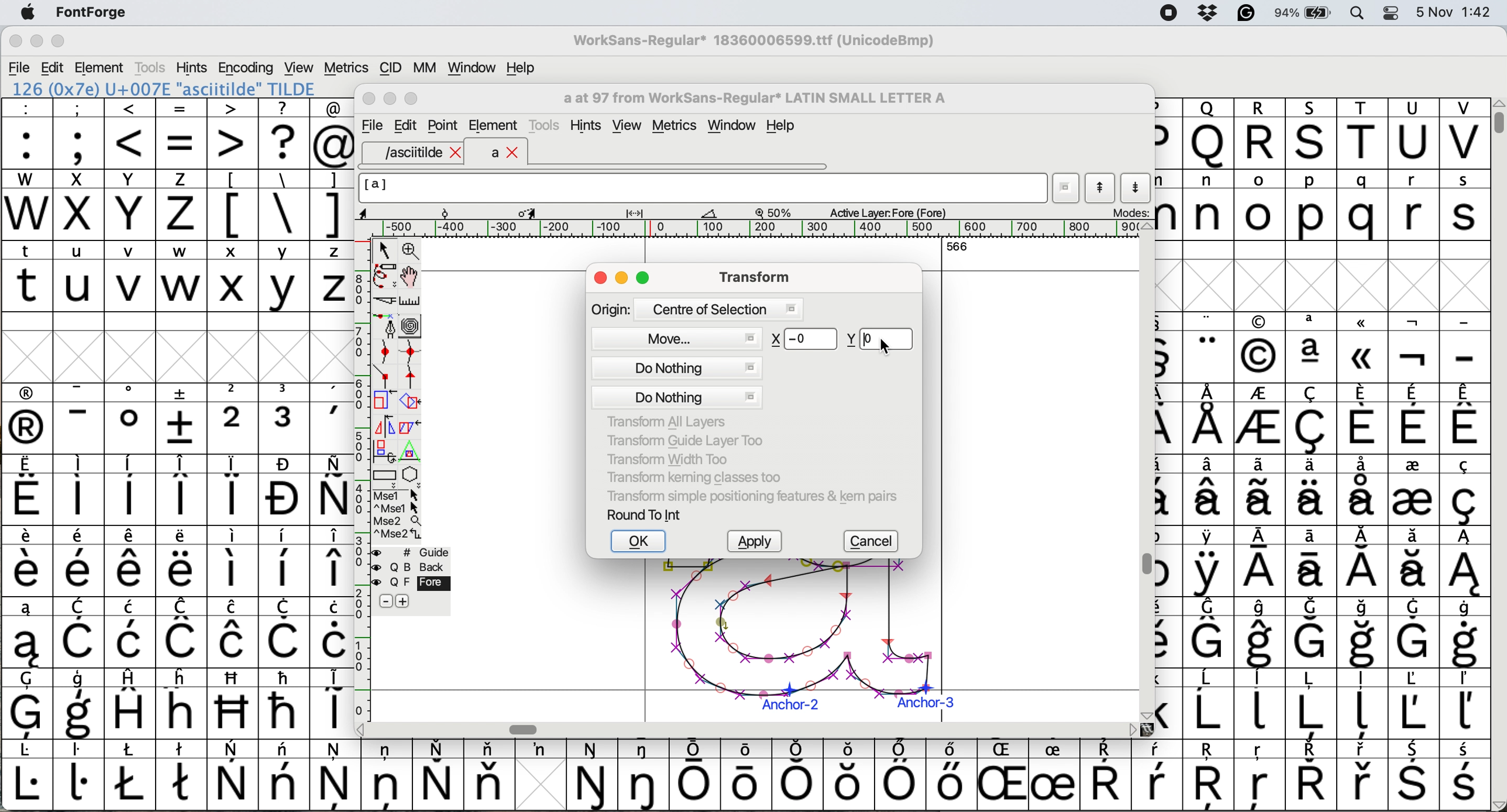  What do you see at coordinates (183, 134) in the screenshot?
I see `=` at bounding box center [183, 134].